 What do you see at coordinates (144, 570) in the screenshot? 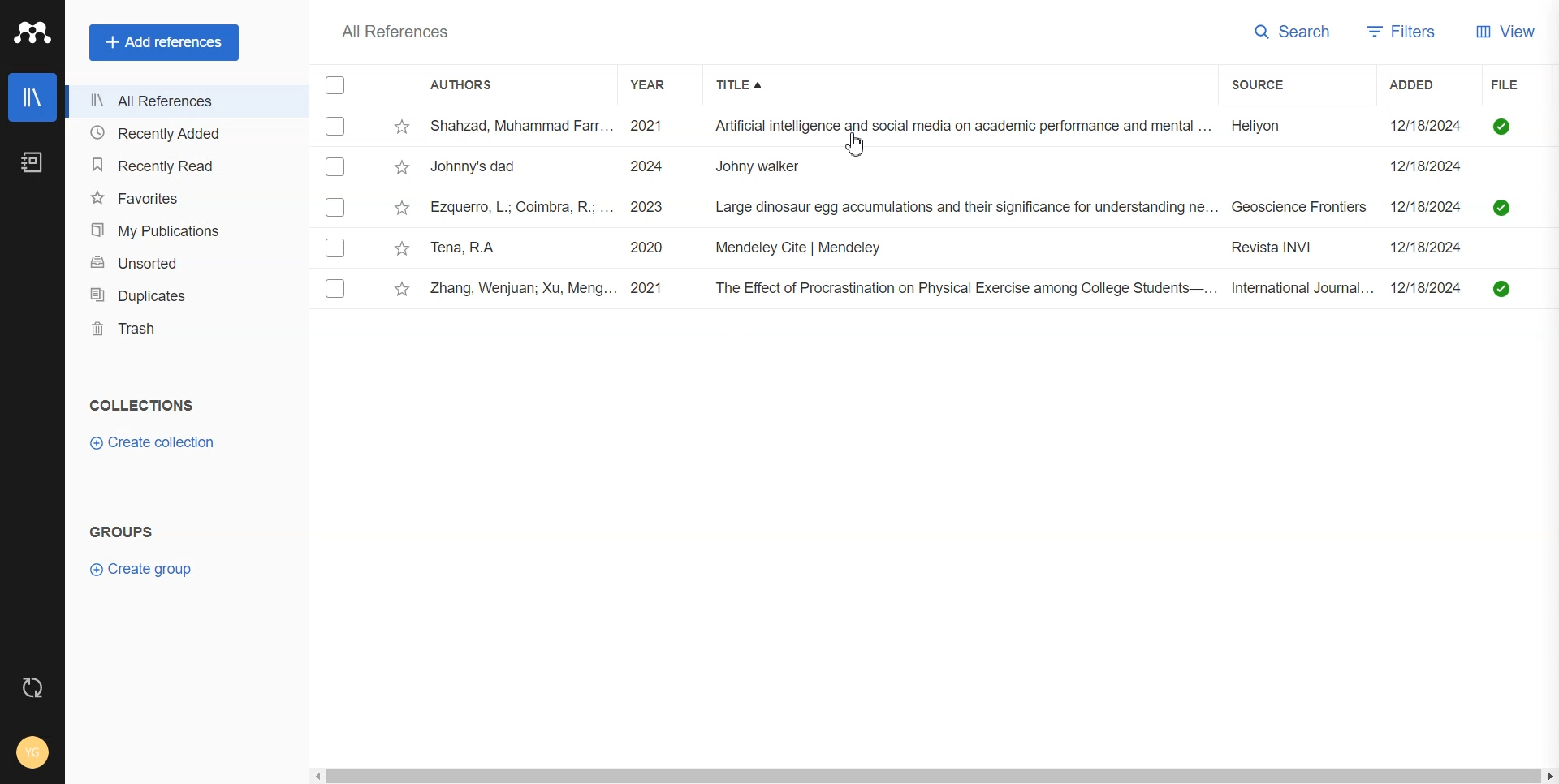
I see `Create group` at bounding box center [144, 570].